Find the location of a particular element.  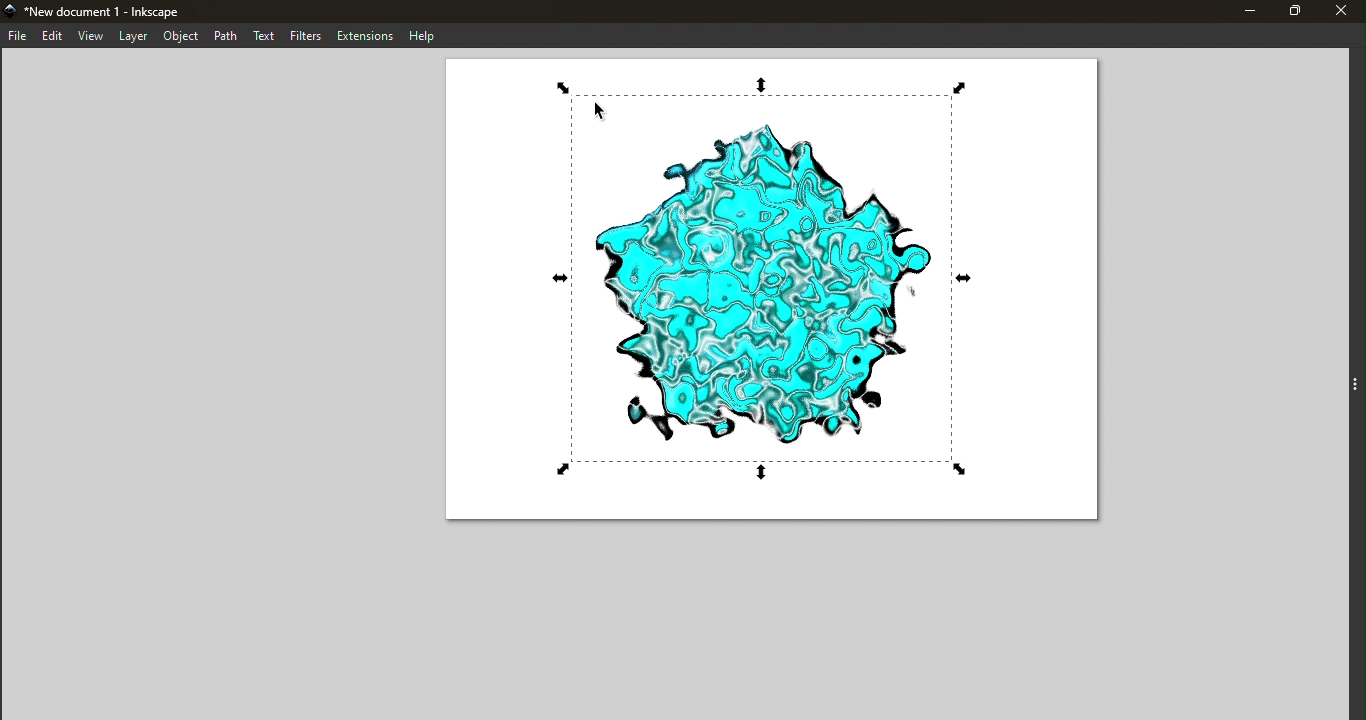

Layer is located at coordinates (133, 37).